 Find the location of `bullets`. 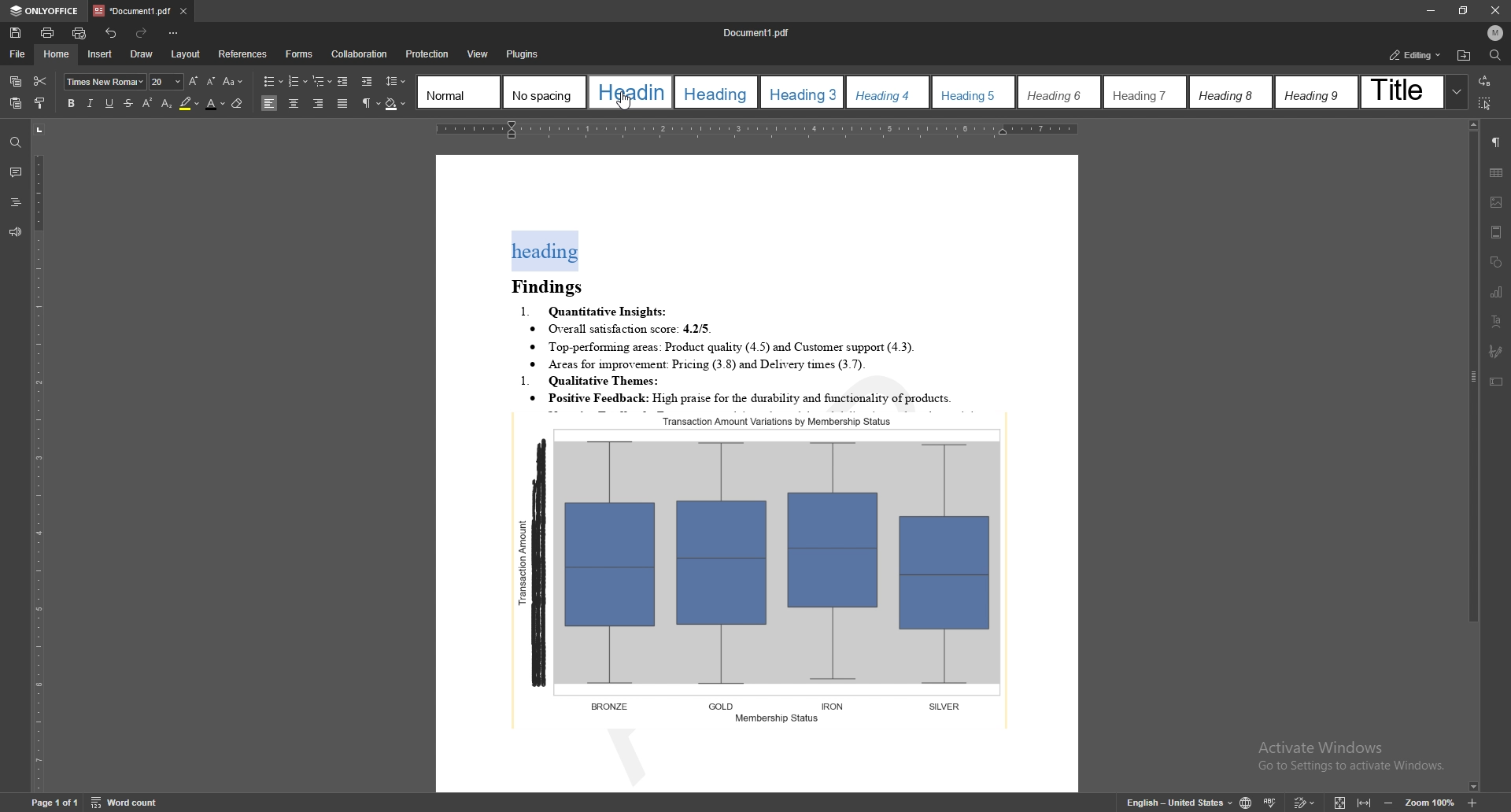

bullets is located at coordinates (273, 81).